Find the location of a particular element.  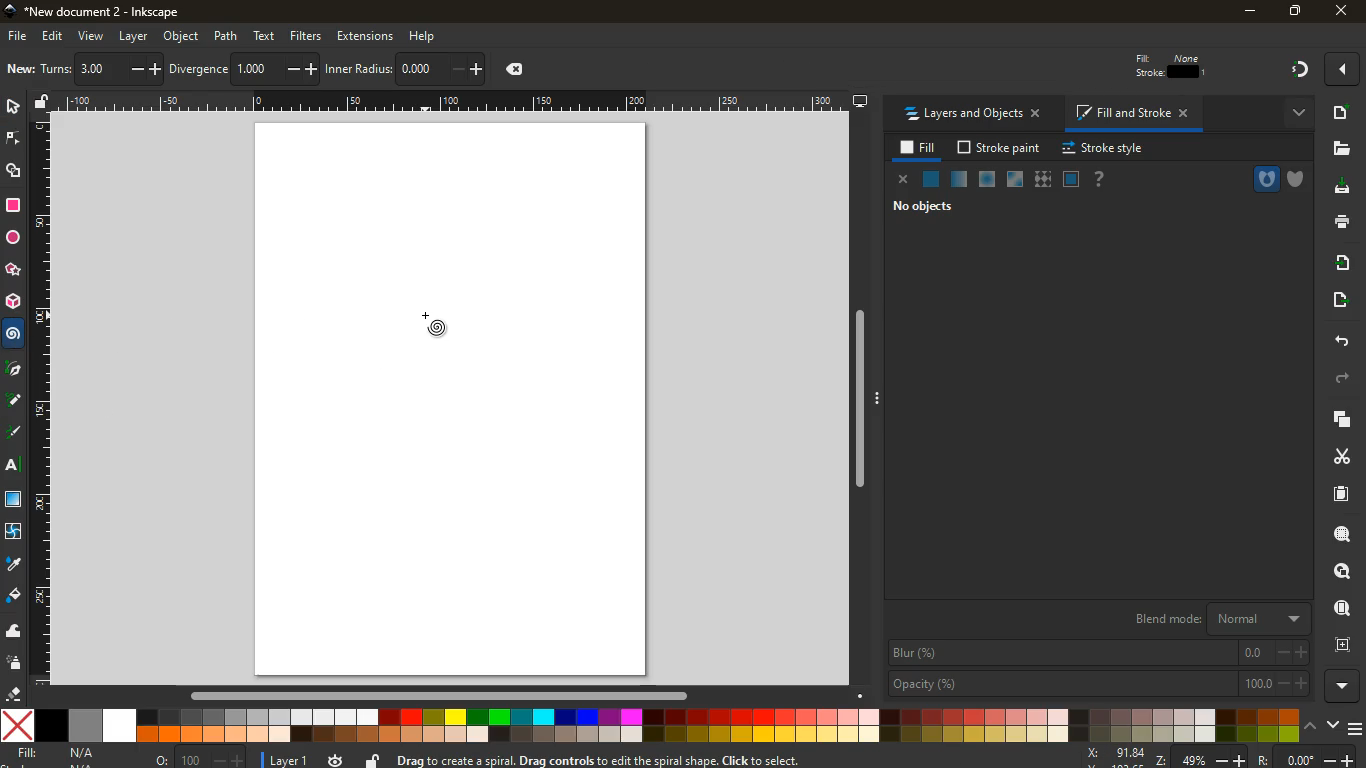

blend mode is located at coordinates (1211, 620).